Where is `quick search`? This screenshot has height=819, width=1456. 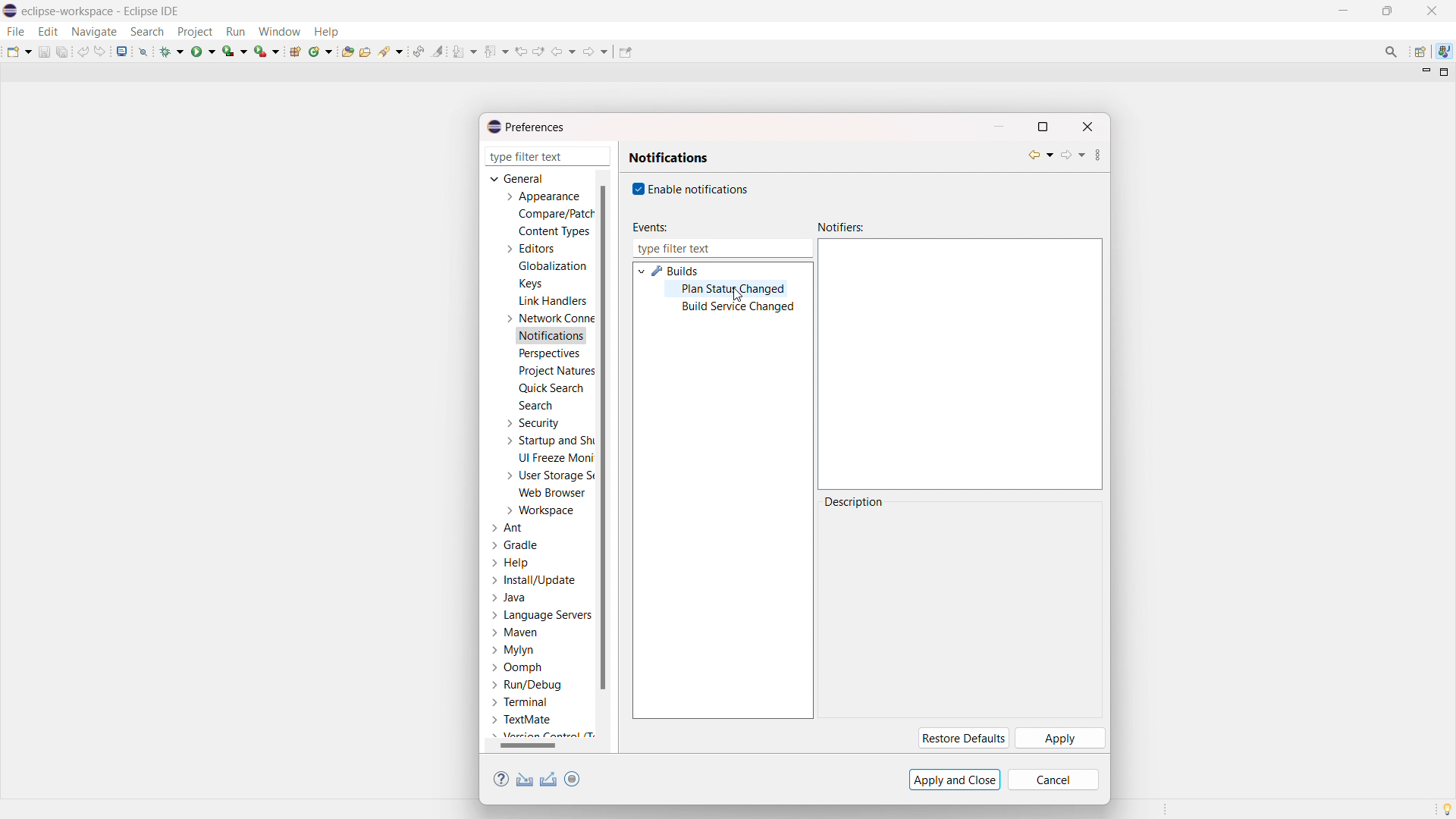 quick search is located at coordinates (551, 388).